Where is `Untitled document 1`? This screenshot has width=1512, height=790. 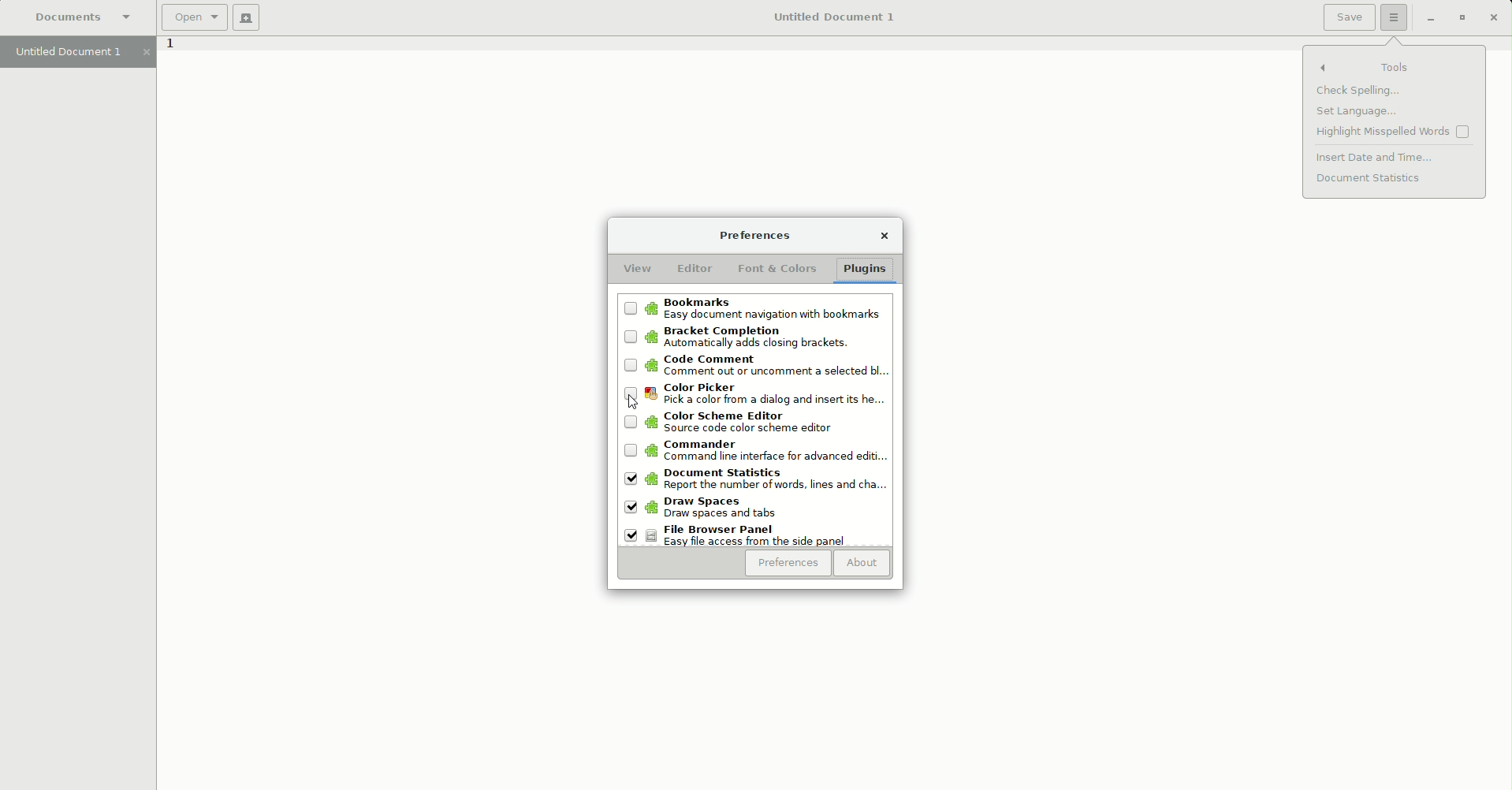
Untitled document 1 is located at coordinates (78, 53).